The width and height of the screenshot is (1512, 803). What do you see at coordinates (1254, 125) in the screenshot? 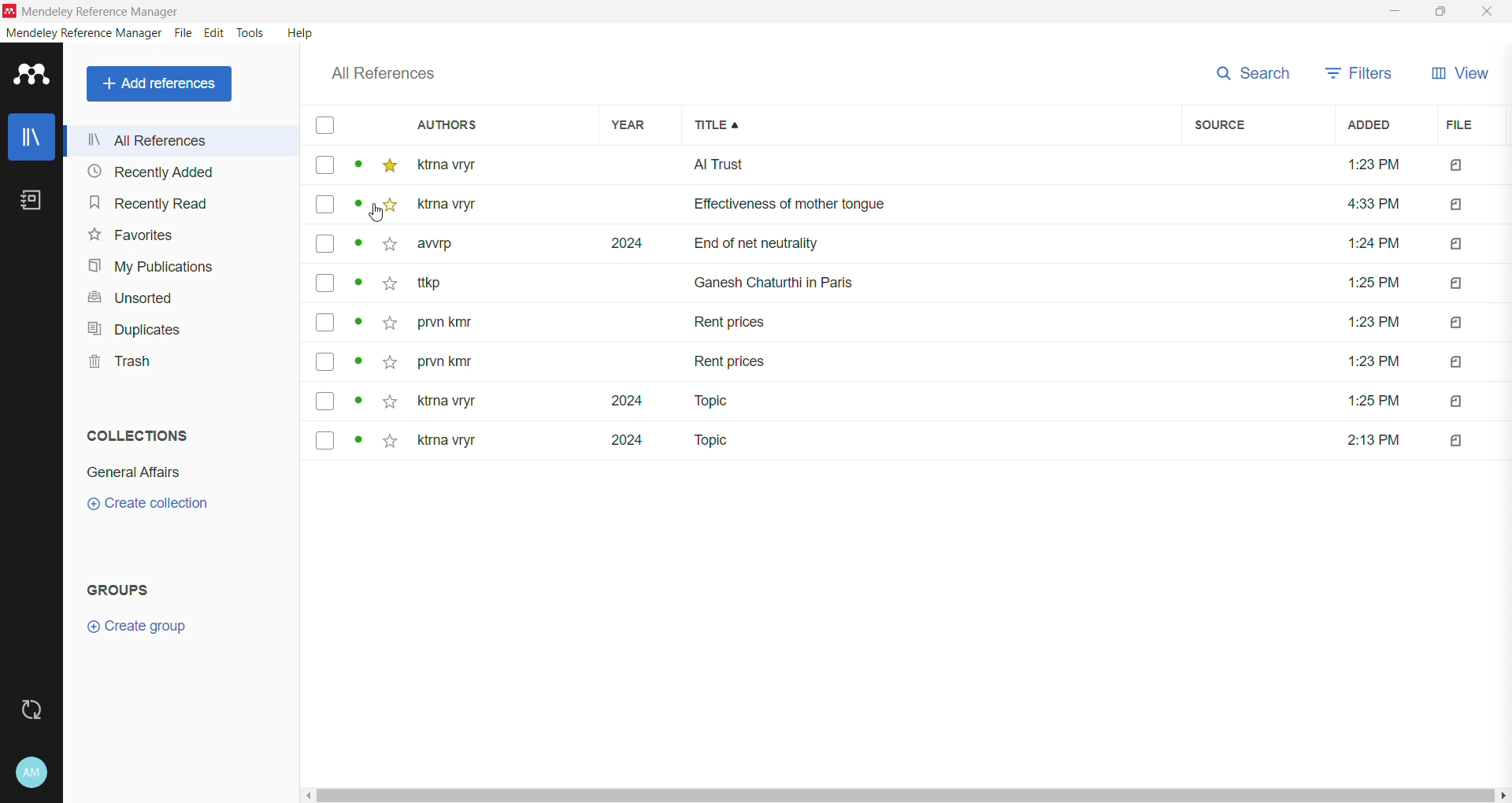
I see `Source` at bounding box center [1254, 125].